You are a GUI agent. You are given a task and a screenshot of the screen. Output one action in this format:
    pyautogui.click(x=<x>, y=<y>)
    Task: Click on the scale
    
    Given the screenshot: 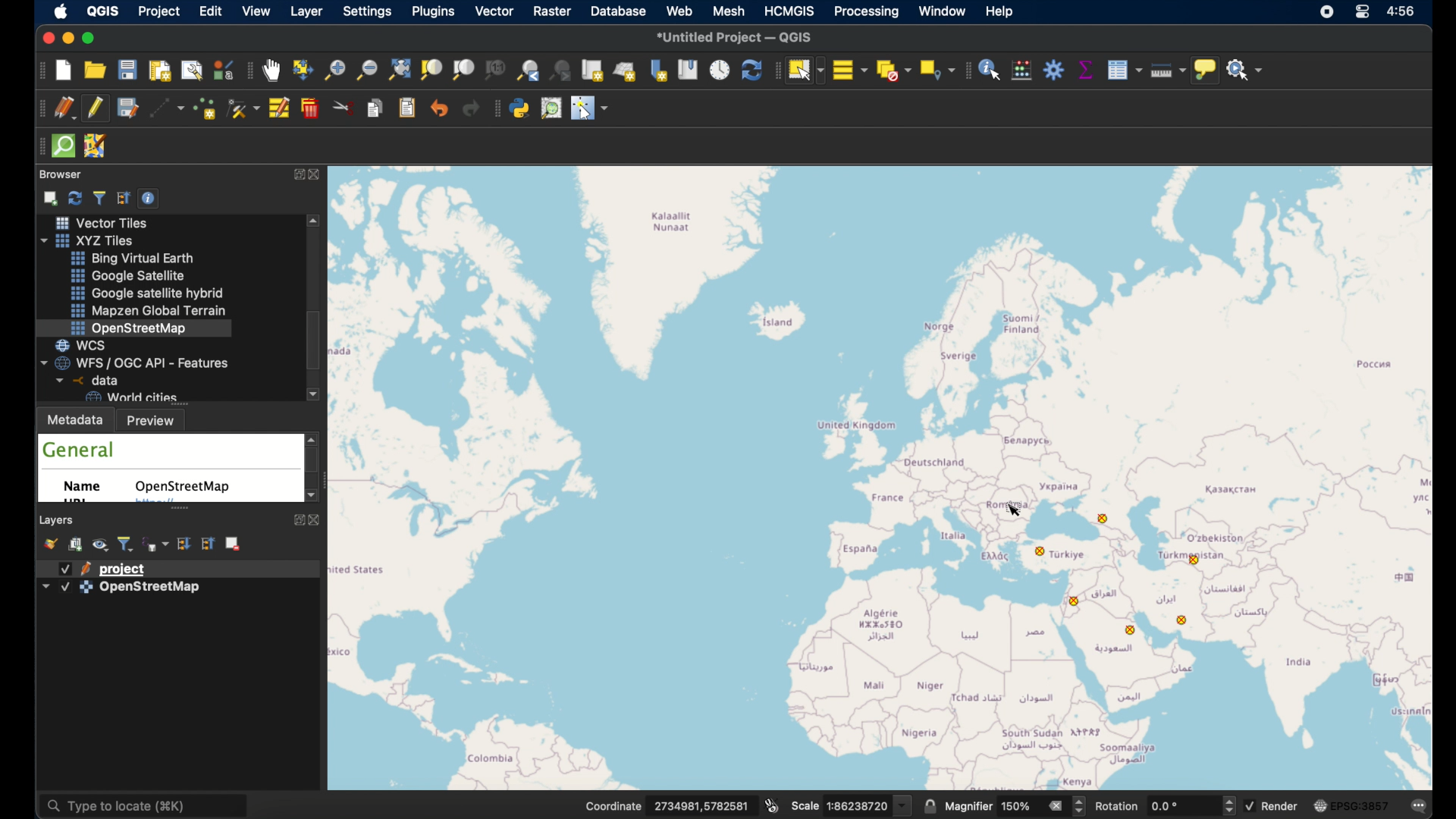 What is the action you would take?
    pyautogui.click(x=804, y=808)
    